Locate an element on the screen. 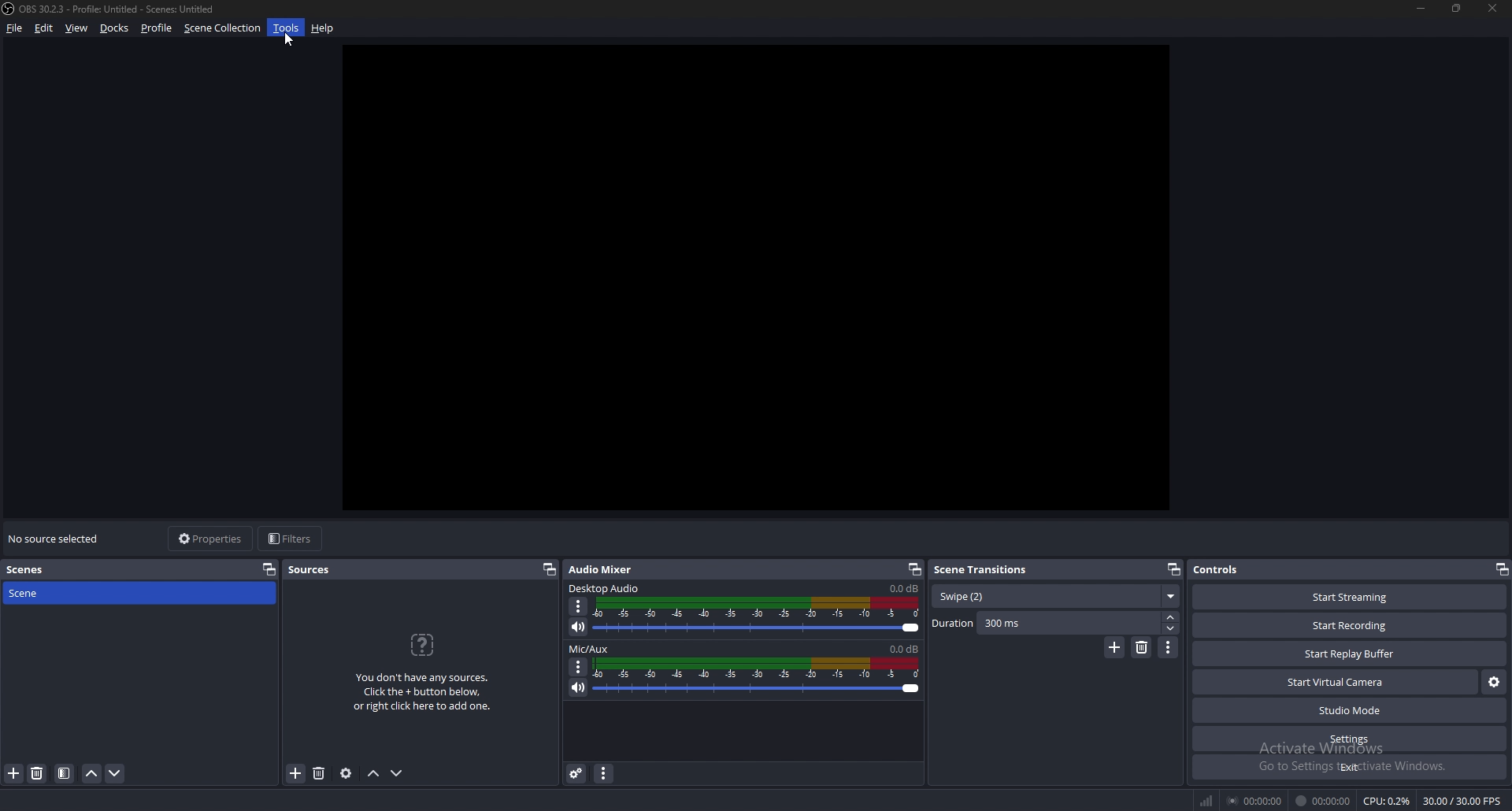 The width and height of the screenshot is (1512, 811). advanced audio properties is located at coordinates (576, 772).